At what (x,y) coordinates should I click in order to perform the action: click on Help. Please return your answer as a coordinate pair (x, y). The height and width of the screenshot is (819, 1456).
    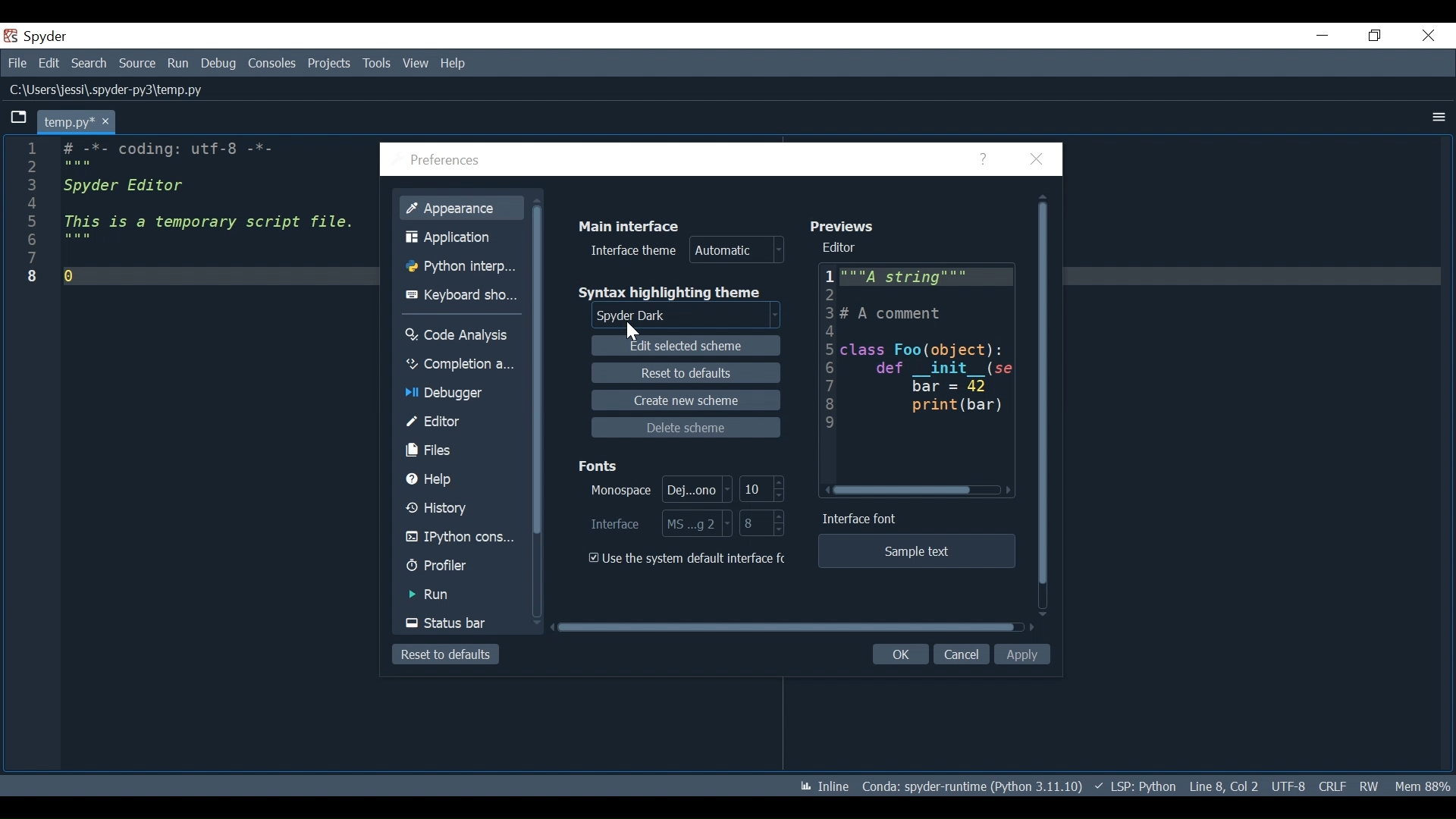
    Looking at the image, I should click on (463, 479).